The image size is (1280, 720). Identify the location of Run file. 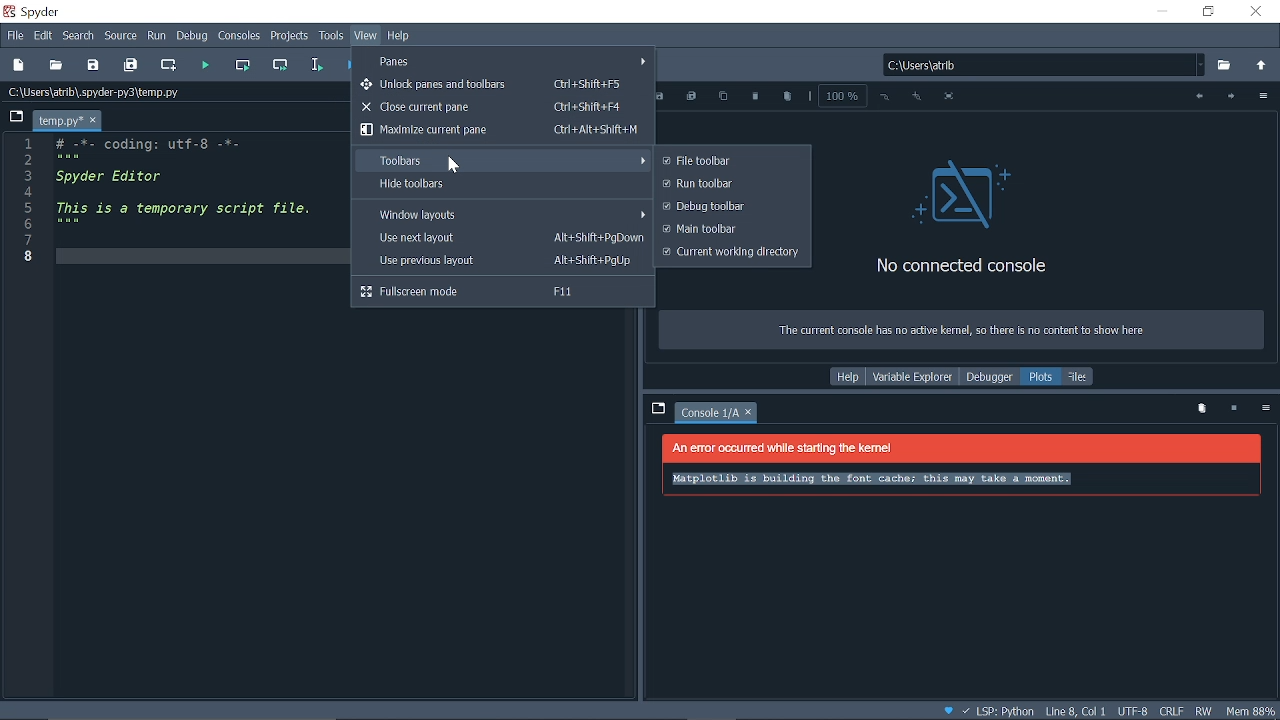
(208, 64).